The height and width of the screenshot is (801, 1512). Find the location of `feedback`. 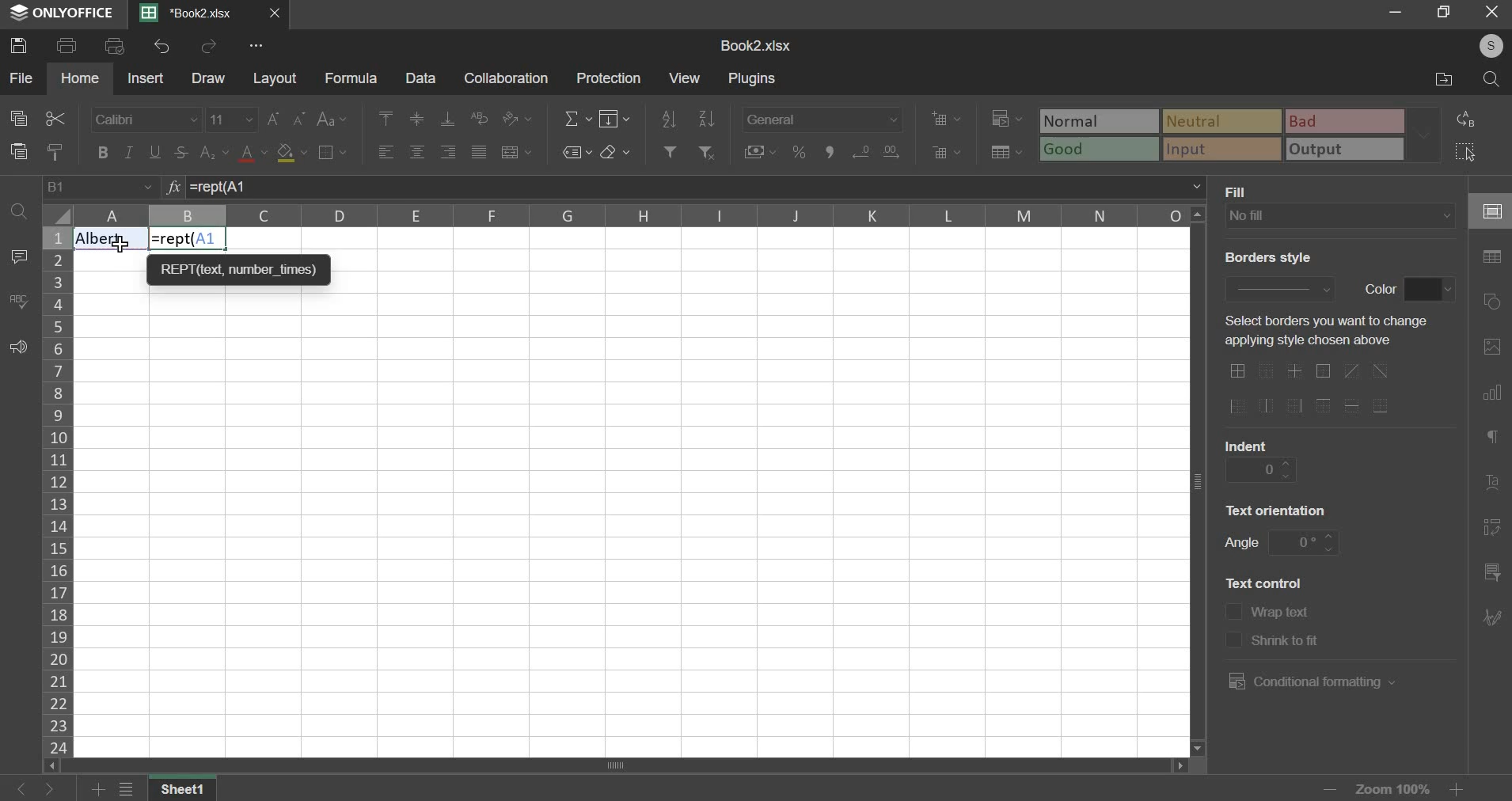

feedback is located at coordinates (17, 346).